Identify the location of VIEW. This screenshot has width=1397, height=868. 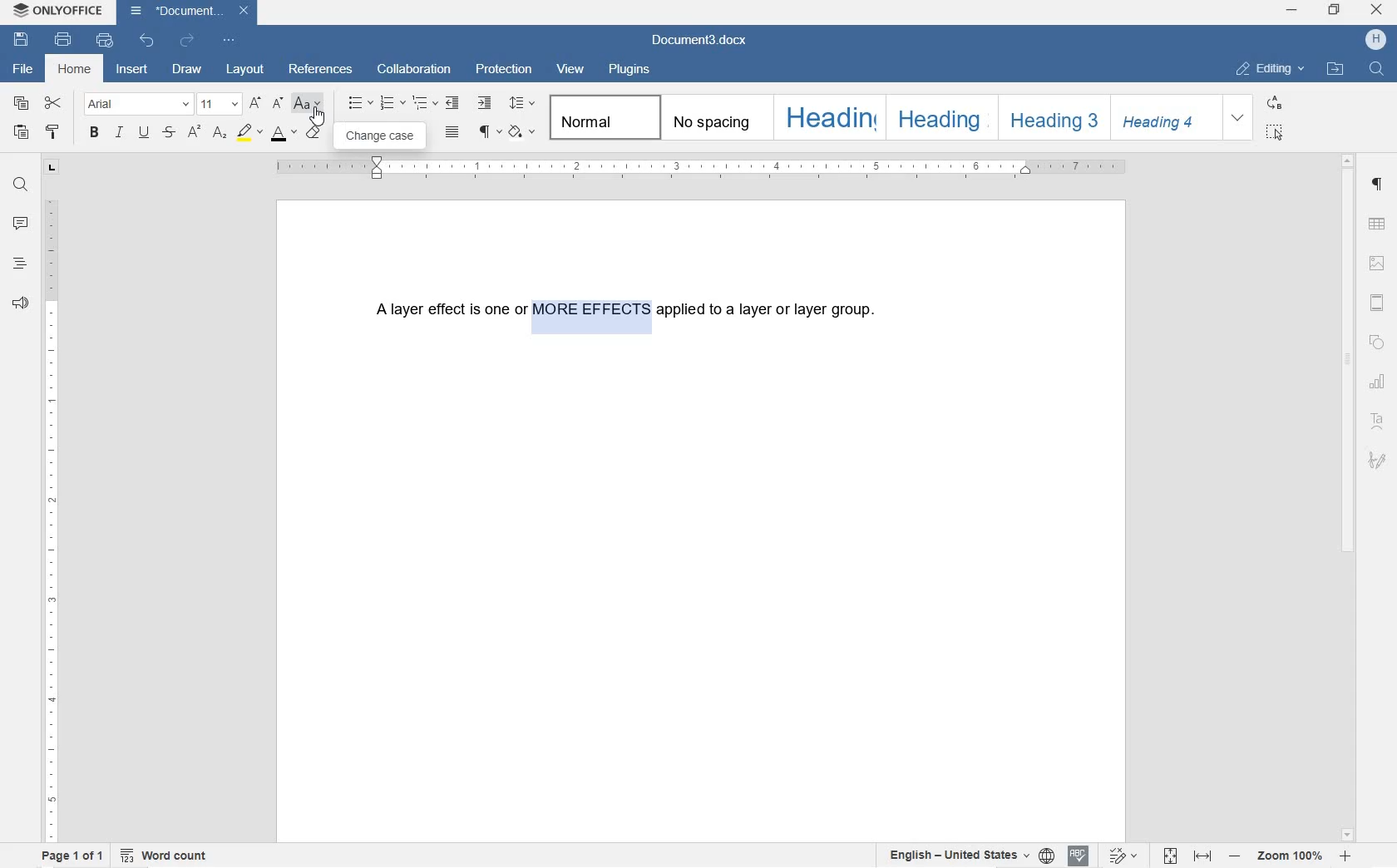
(570, 70).